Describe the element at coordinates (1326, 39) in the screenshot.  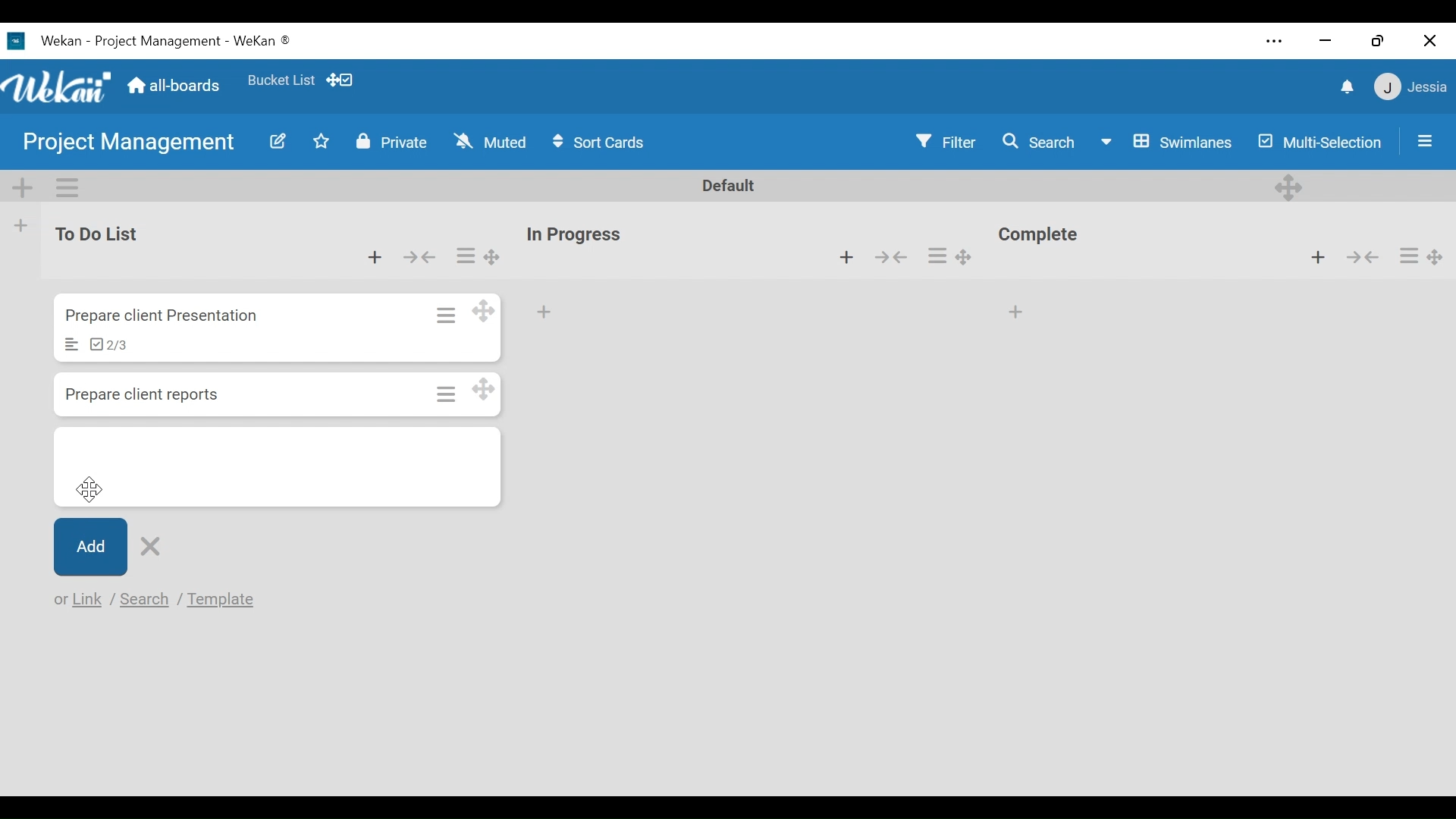
I see `minimize` at that location.